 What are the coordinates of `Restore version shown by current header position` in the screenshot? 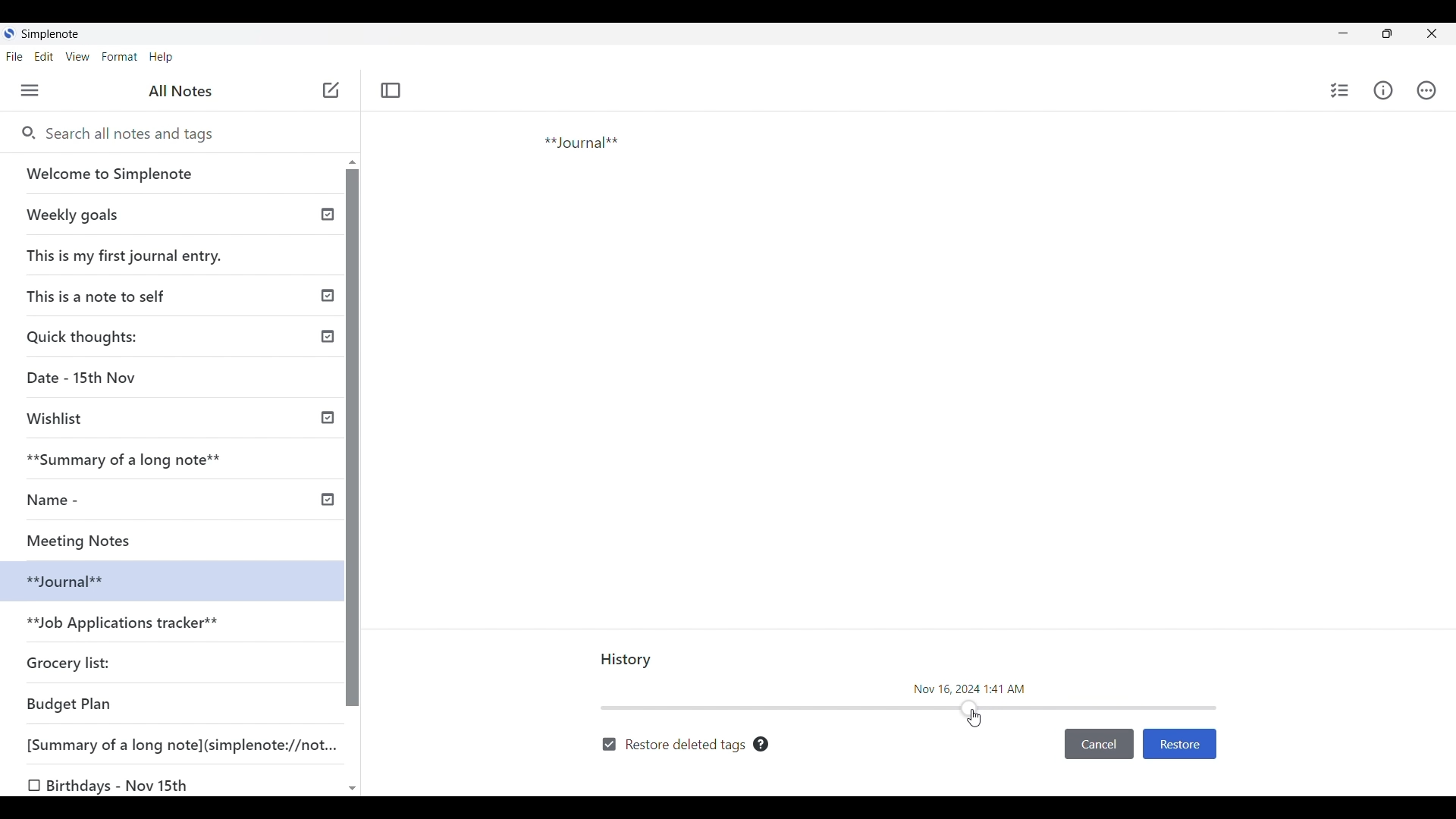 It's located at (1179, 745).